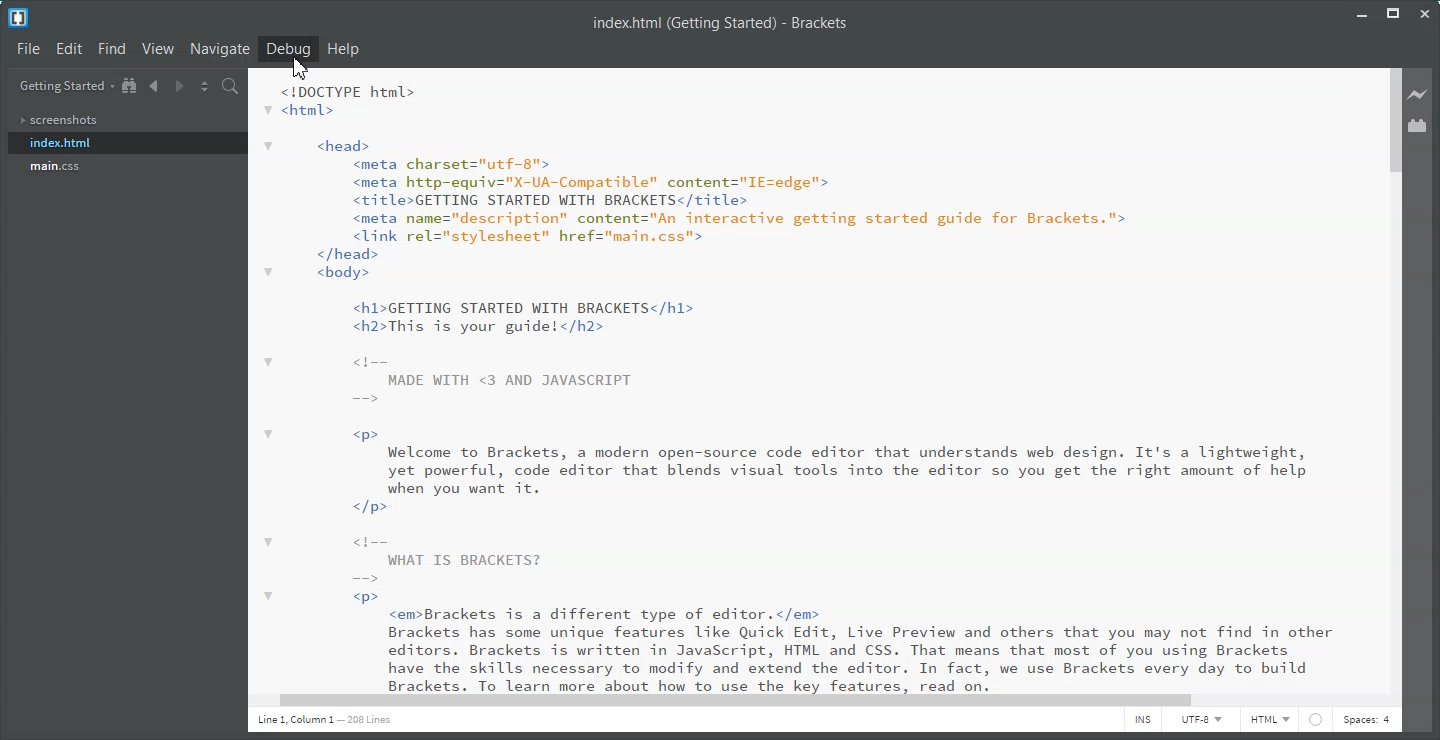 Image resolution: width=1440 pixels, height=740 pixels. Describe the element at coordinates (18, 18) in the screenshot. I see `Logo` at that location.